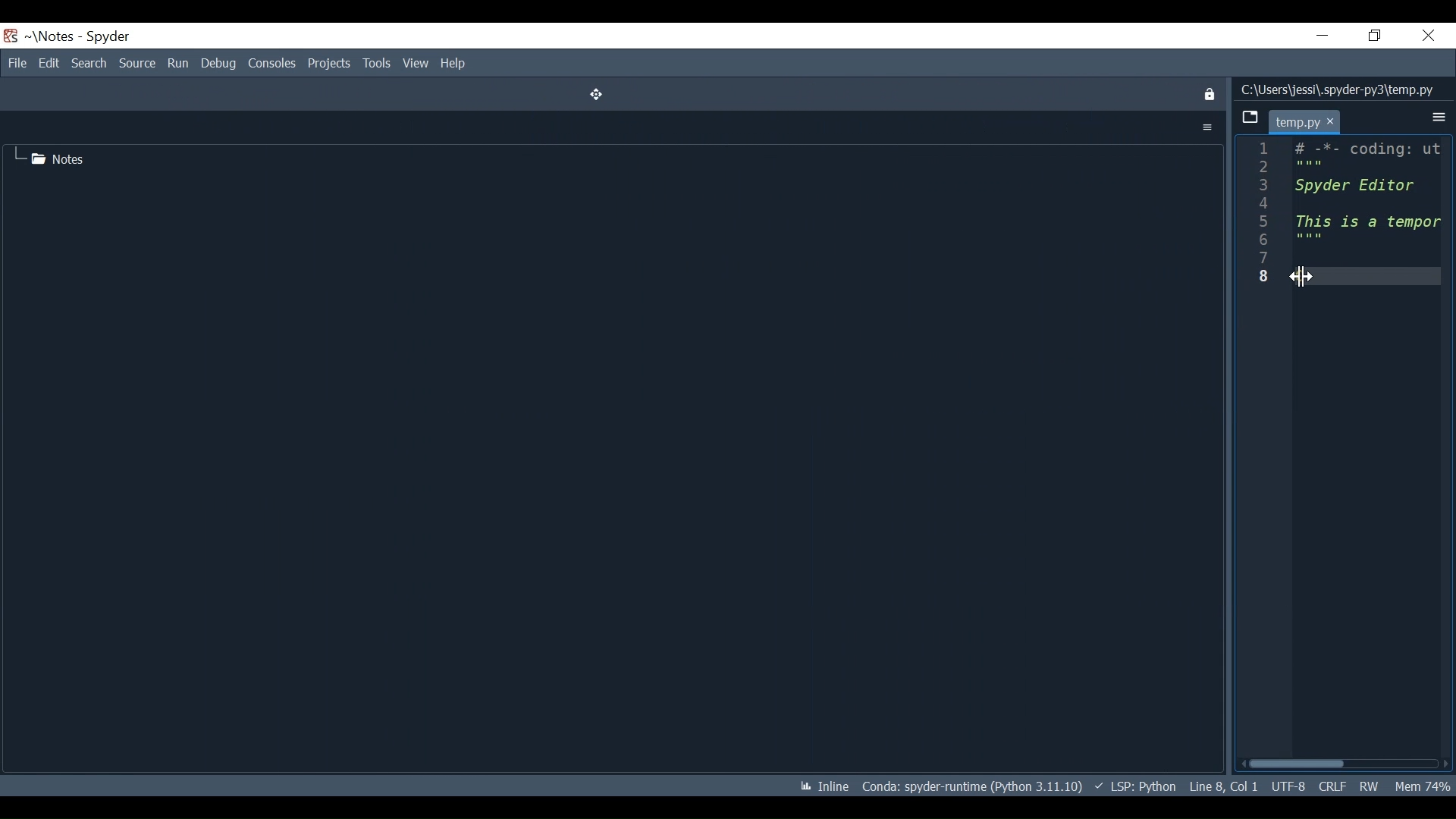 Image resolution: width=1456 pixels, height=819 pixels. Describe the element at coordinates (1369, 783) in the screenshot. I see `RW` at that location.